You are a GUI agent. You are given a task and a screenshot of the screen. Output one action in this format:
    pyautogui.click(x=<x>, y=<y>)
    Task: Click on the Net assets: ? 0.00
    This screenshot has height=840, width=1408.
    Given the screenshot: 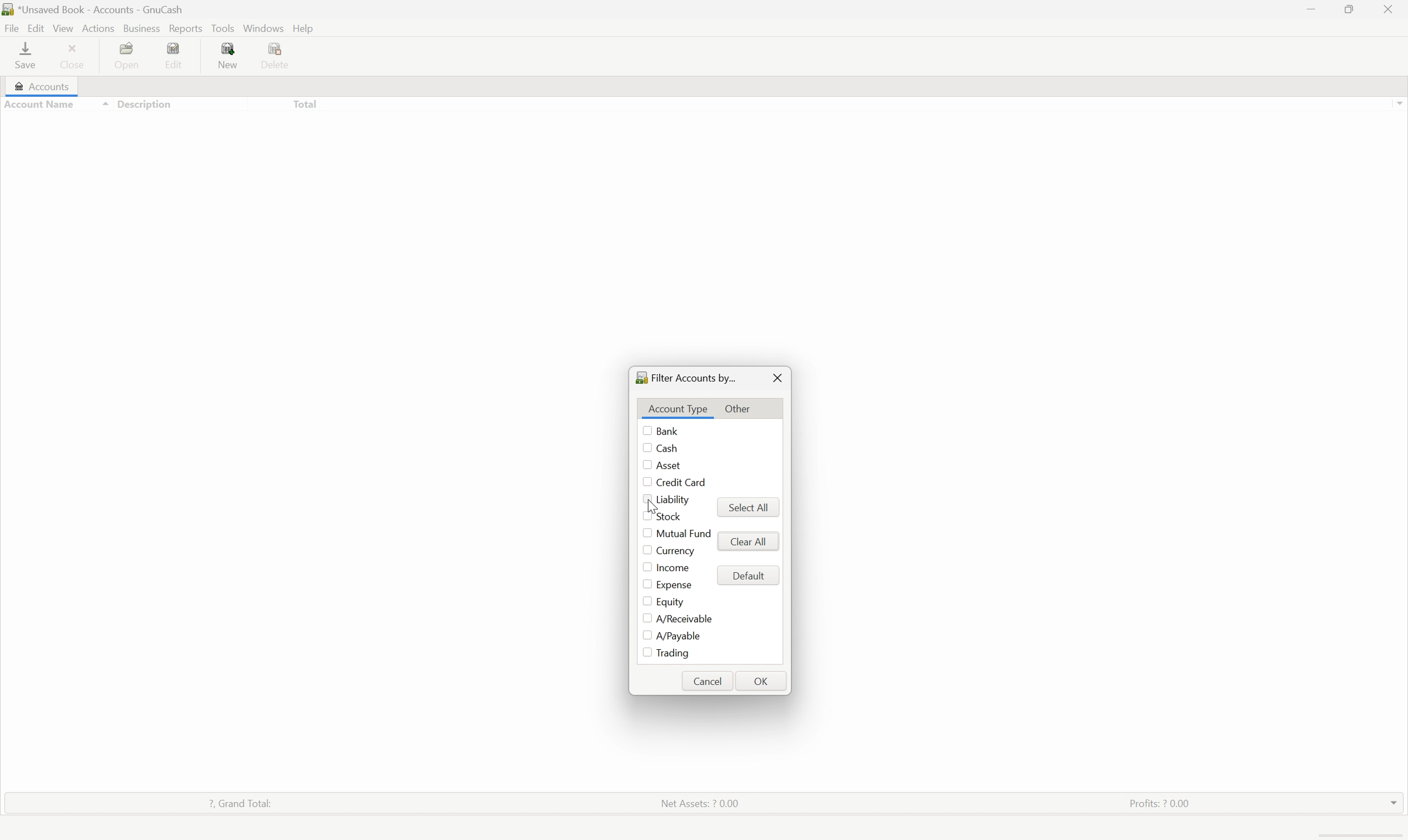 What is the action you would take?
    pyautogui.click(x=700, y=804)
    